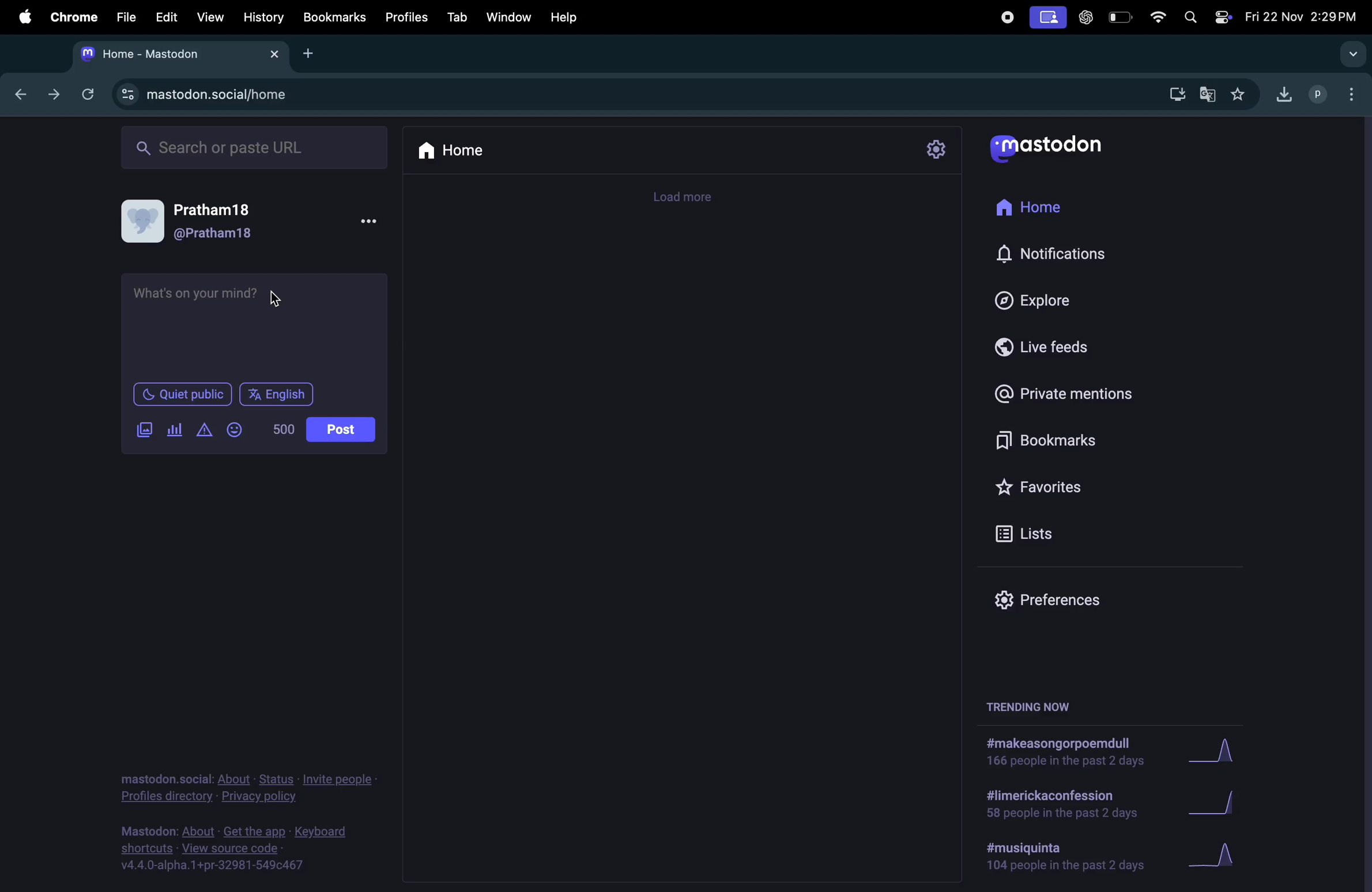 The image size is (1372, 892). What do you see at coordinates (142, 429) in the screenshot?
I see `add images` at bounding box center [142, 429].